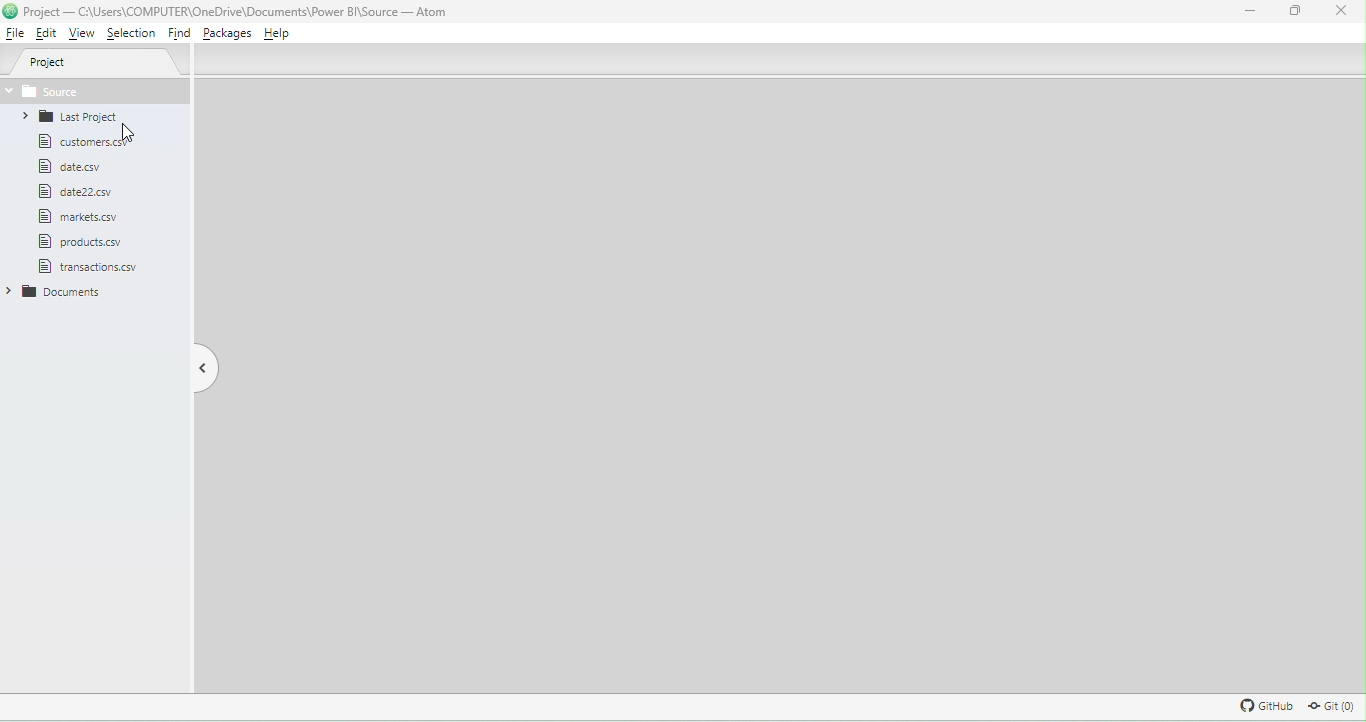 The image size is (1366, 722). I want to click on Close, so click(1343, 15).